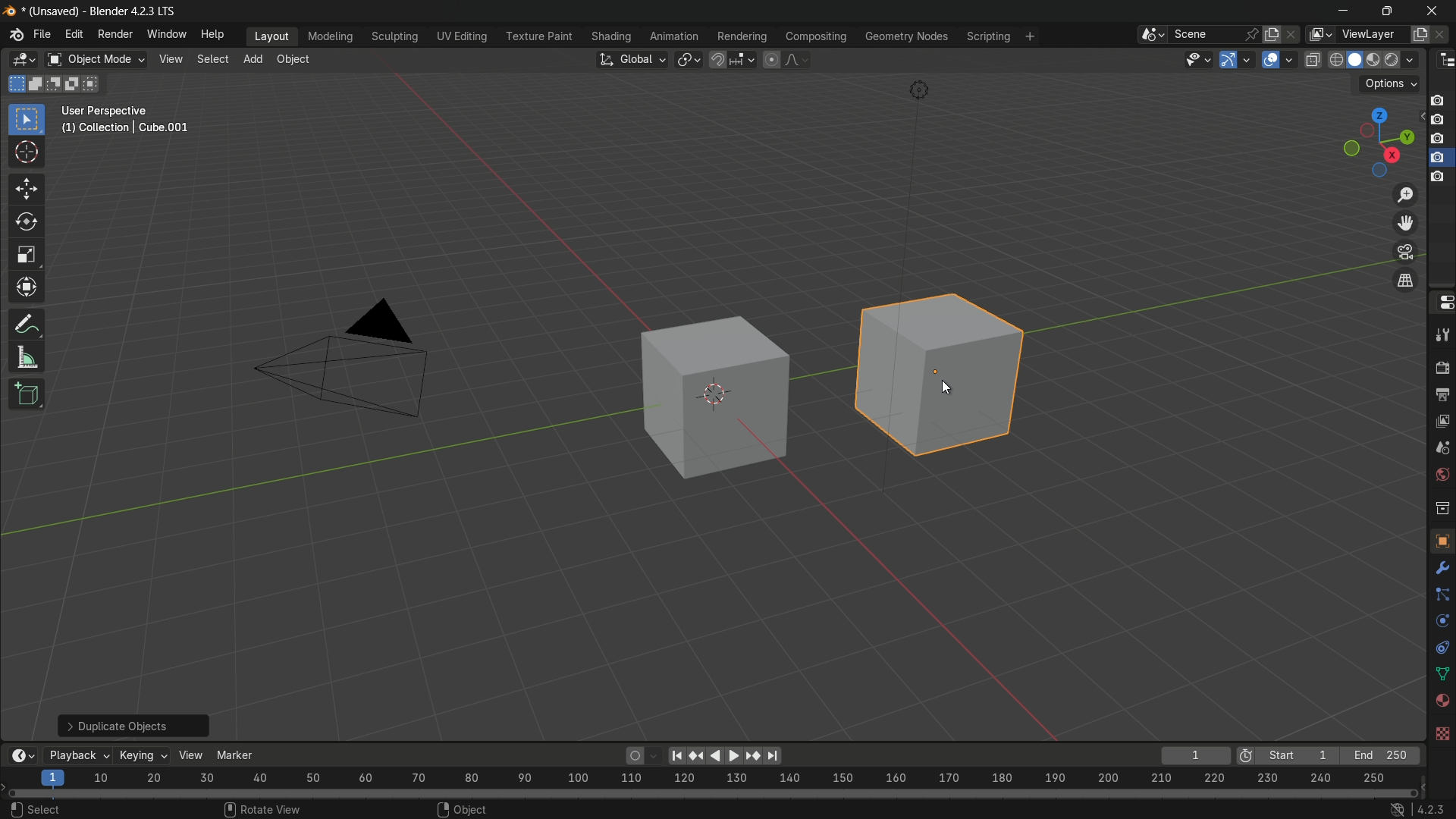 The width and height of the screenshot is (1456, 819). I want to click on modifier, so click(1442, 565).